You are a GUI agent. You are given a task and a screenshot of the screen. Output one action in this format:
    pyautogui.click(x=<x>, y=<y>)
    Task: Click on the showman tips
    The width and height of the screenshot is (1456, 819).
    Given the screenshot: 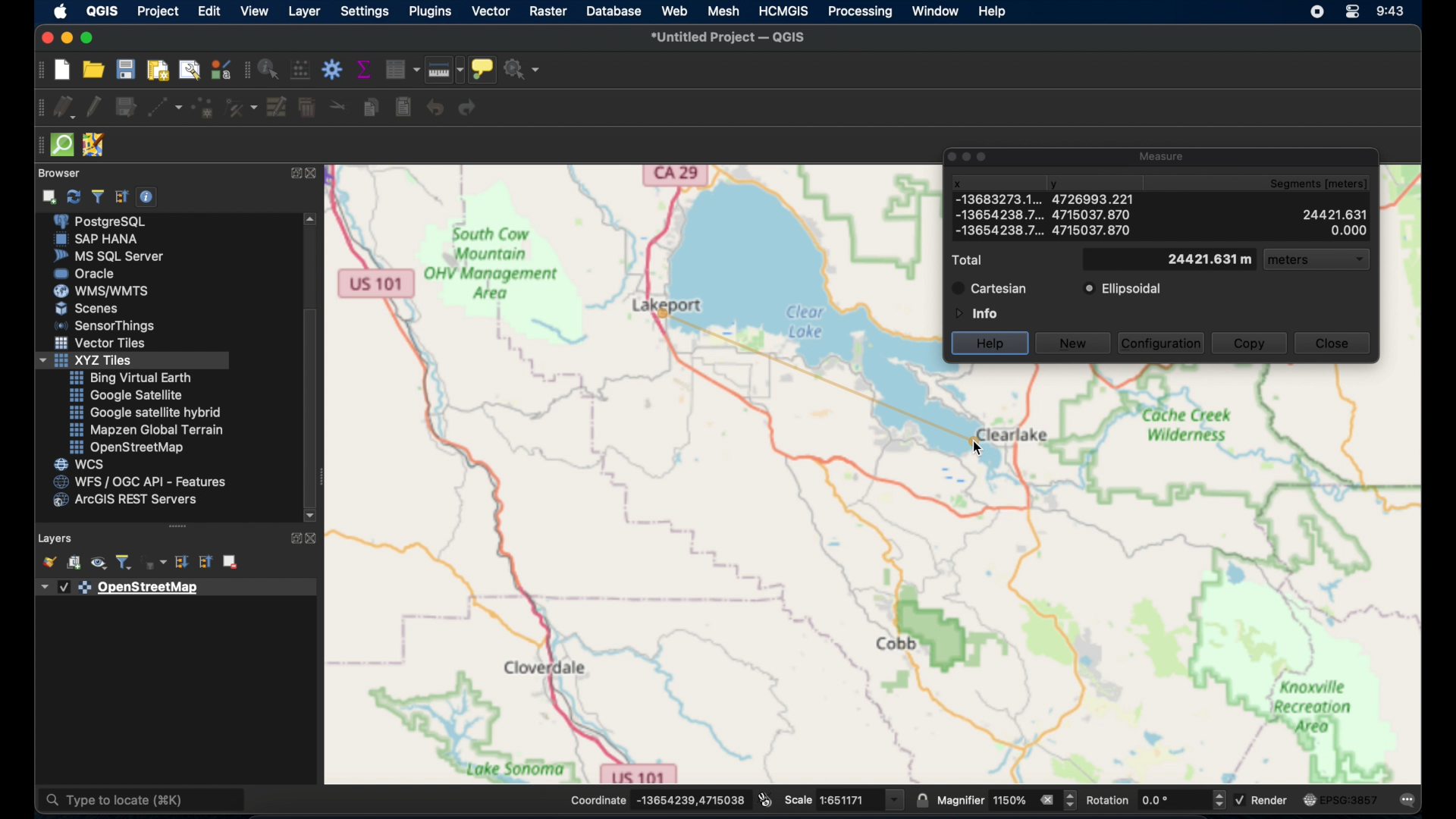 What is the action you would take?
    pyautogui.click(x=483, y=68)
    